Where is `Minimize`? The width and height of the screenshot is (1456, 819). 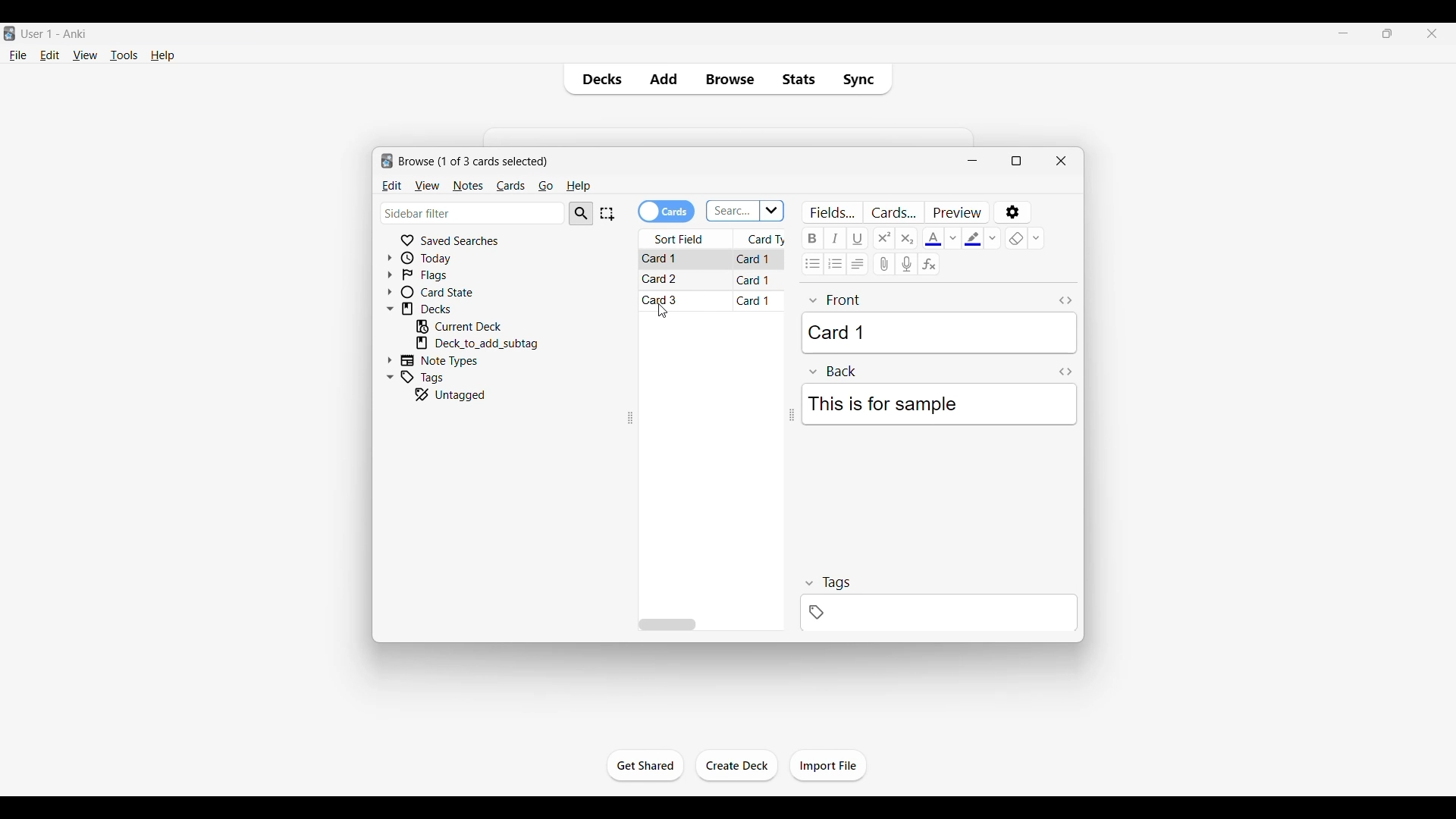 Minimize is located at coordinates (1343, 33).